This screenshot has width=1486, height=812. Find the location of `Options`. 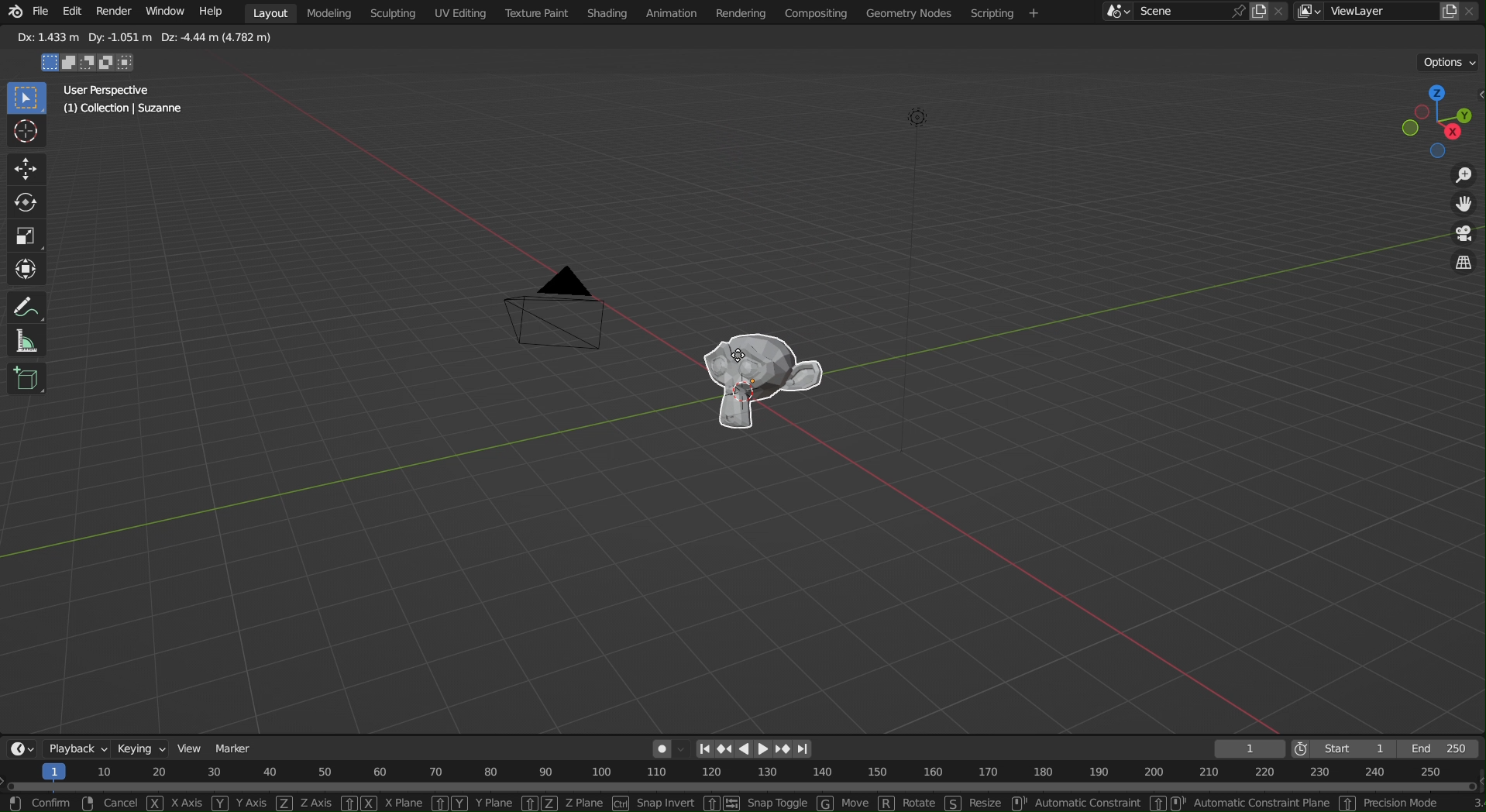

Options is located at coordinates (1450, 61).